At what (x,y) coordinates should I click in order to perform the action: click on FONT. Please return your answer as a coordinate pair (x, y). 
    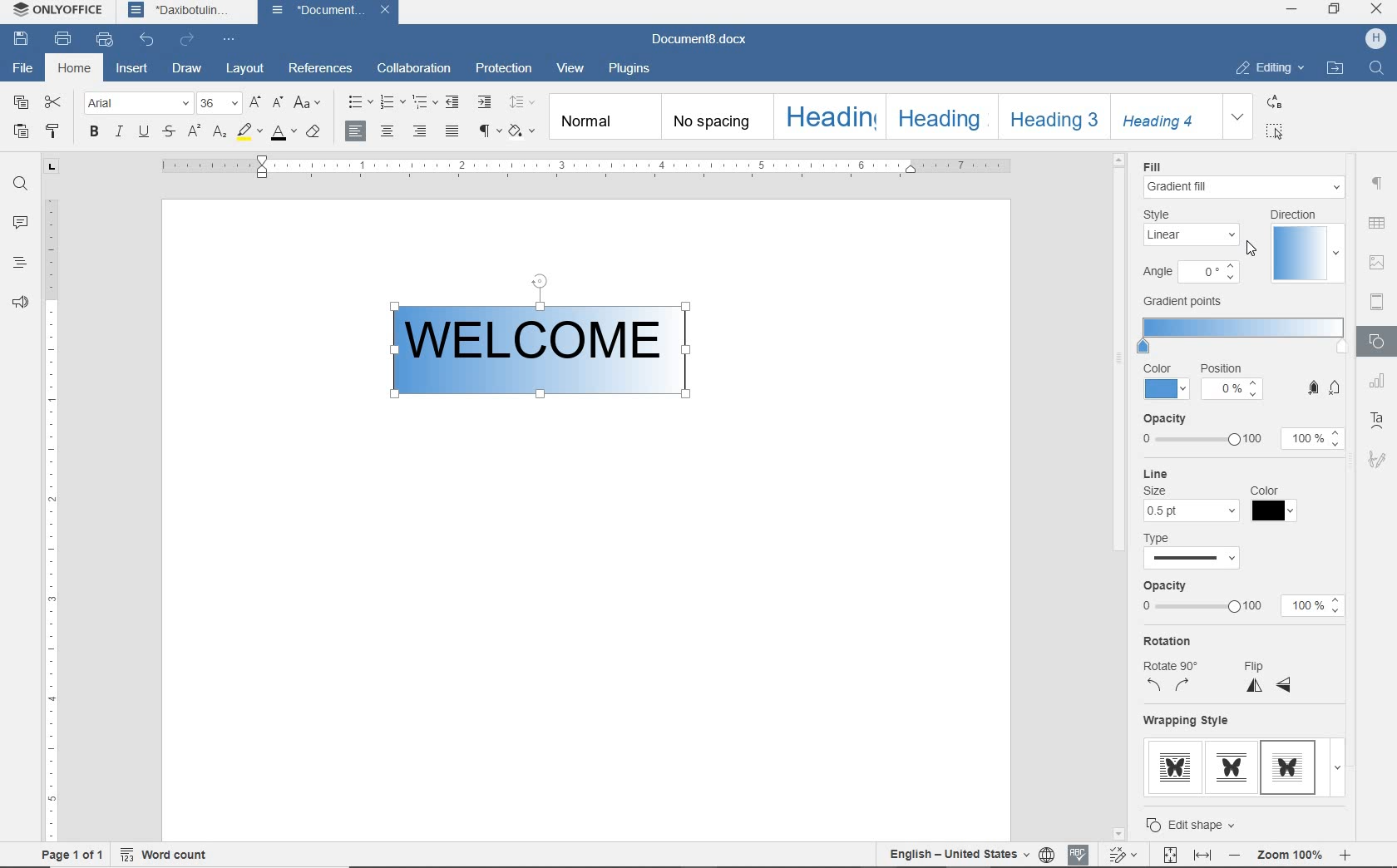
    Looking at the image, I should click on (136, 104).